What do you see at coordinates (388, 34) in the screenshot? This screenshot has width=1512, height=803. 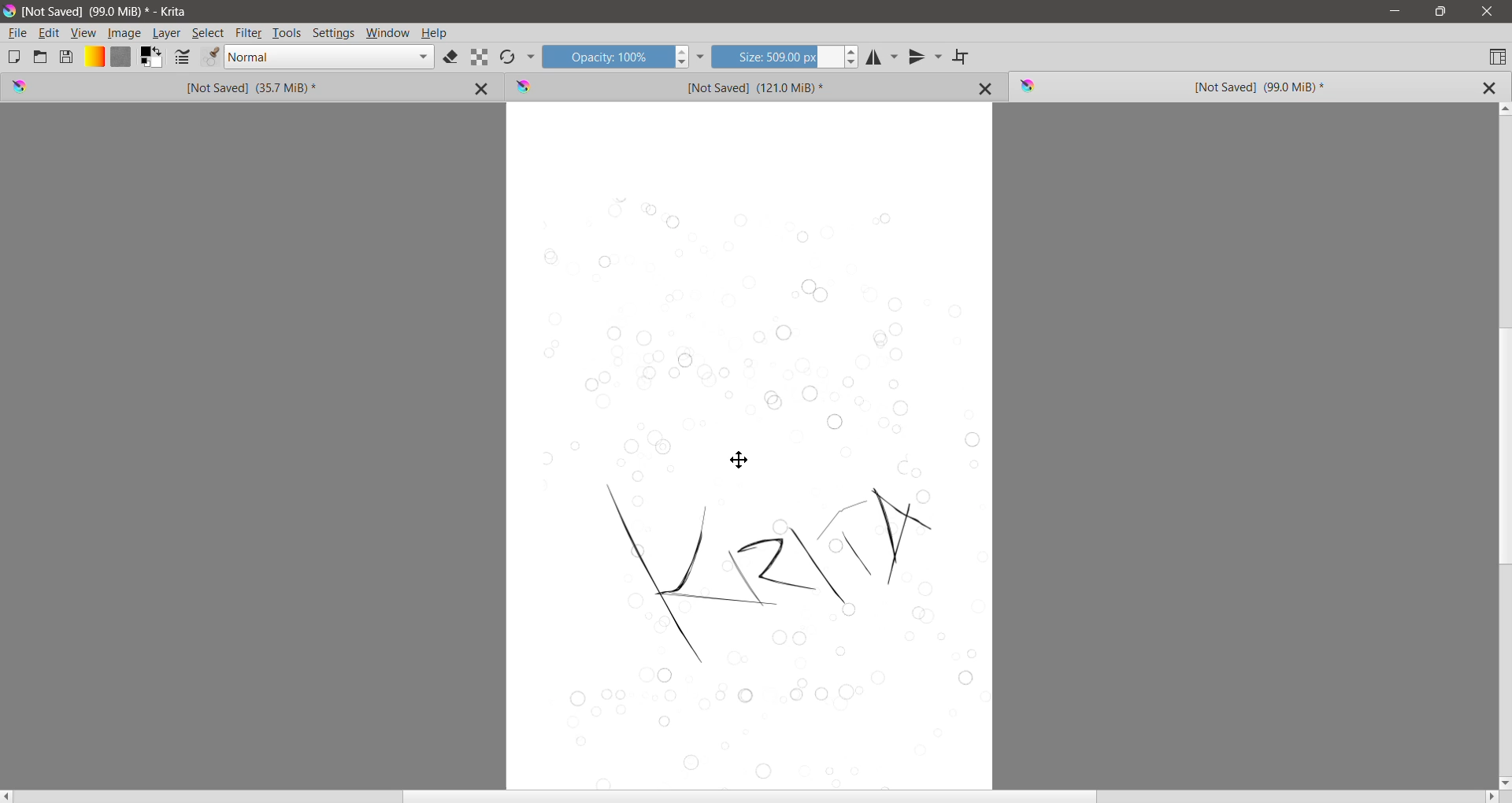 I see `Window` at bounding box center [388, 34].